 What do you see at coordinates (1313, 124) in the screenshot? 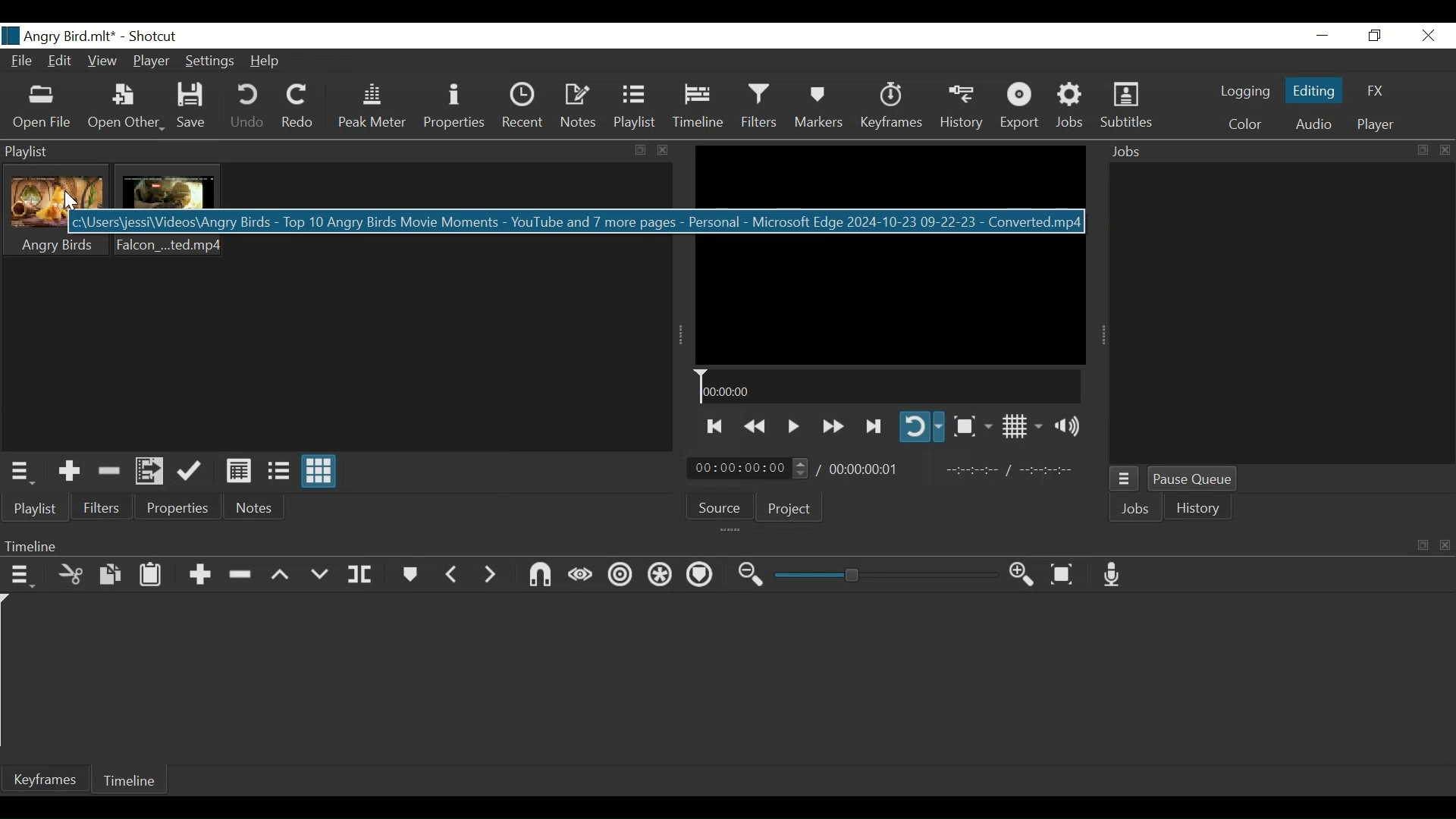
I see `Audio` at bounding box center [1313, 124].